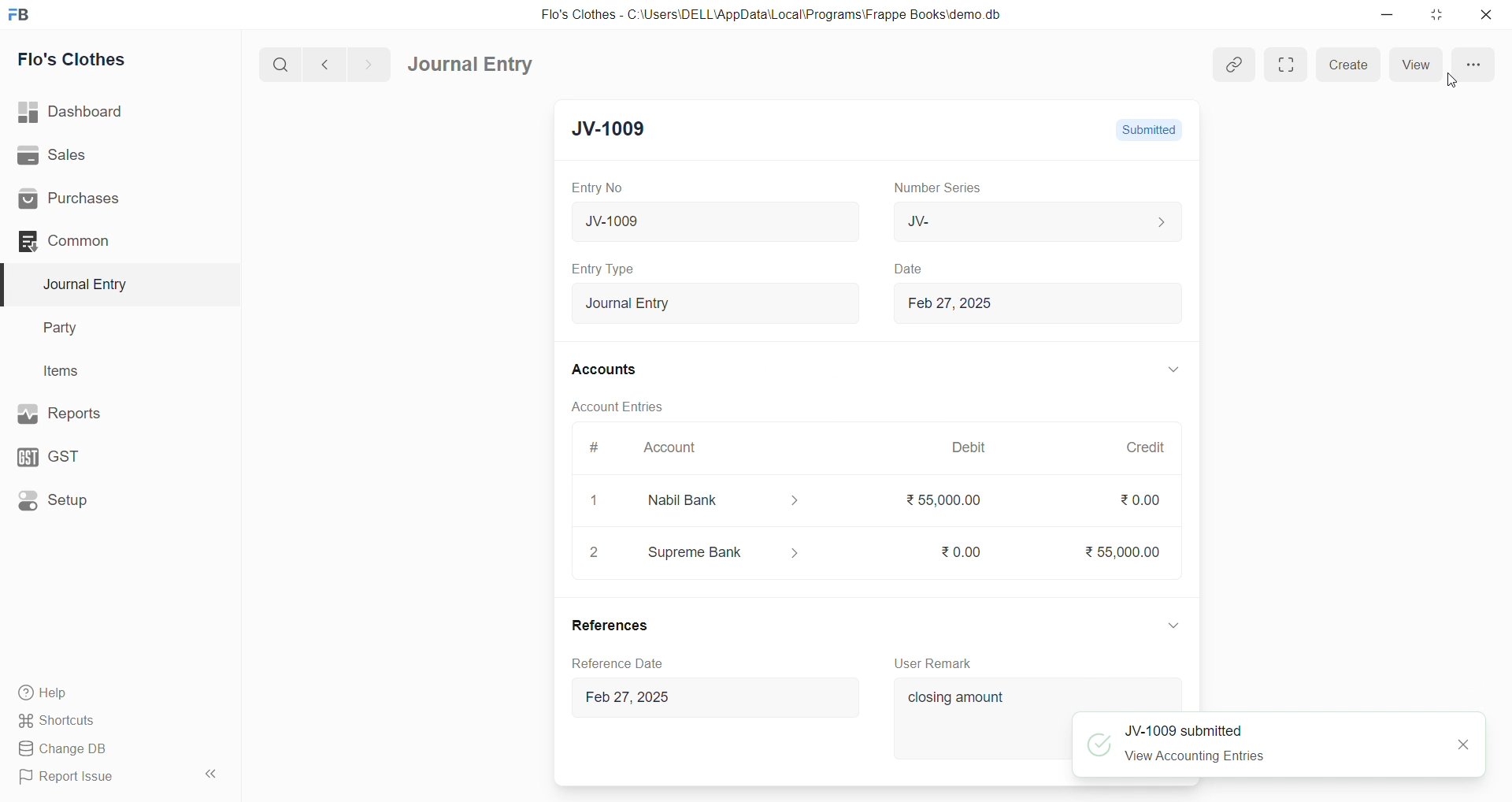  What do you see at coordinates (628, 663) in the screenshot?
I see `Reference D` at bounding box center [628, 663].